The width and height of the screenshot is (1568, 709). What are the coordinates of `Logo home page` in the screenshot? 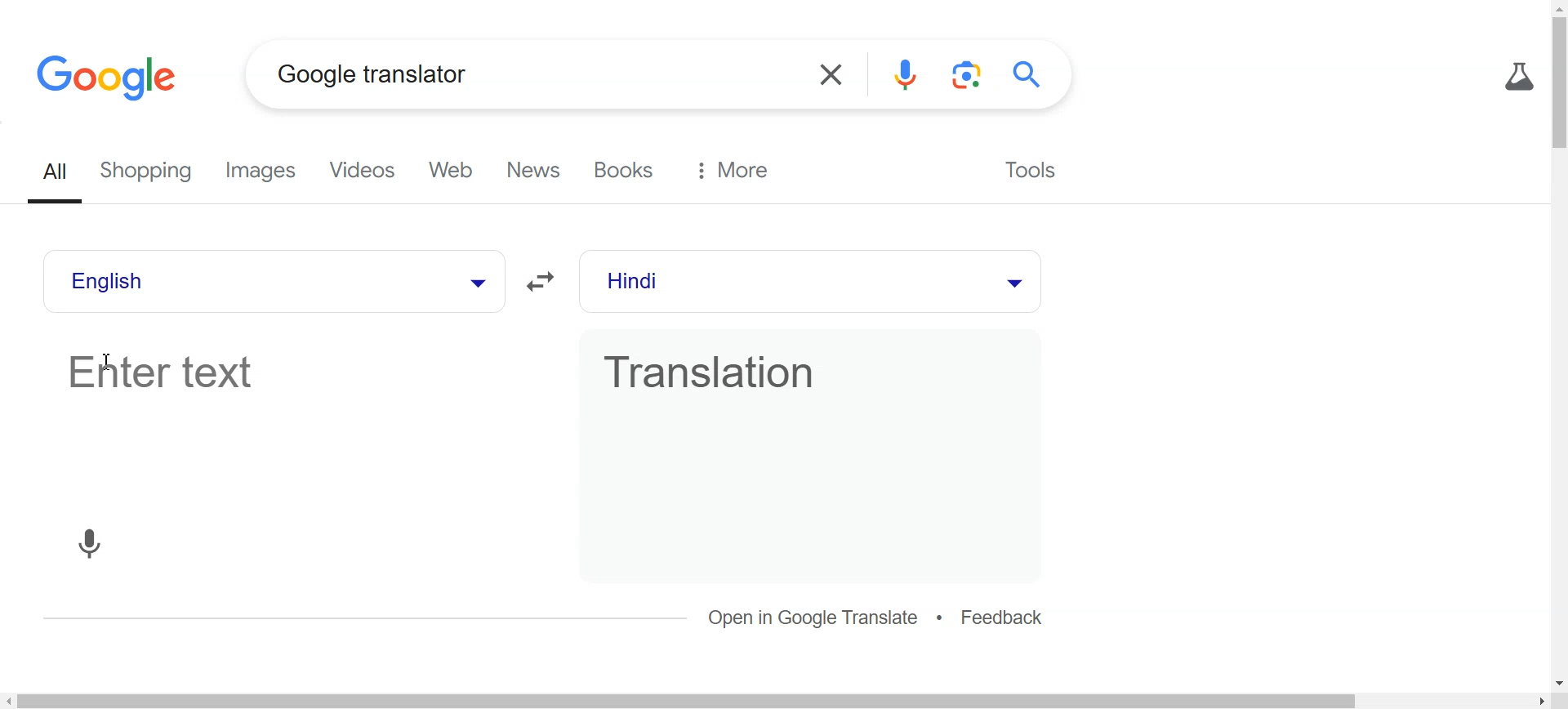 It's located at (109, 76).